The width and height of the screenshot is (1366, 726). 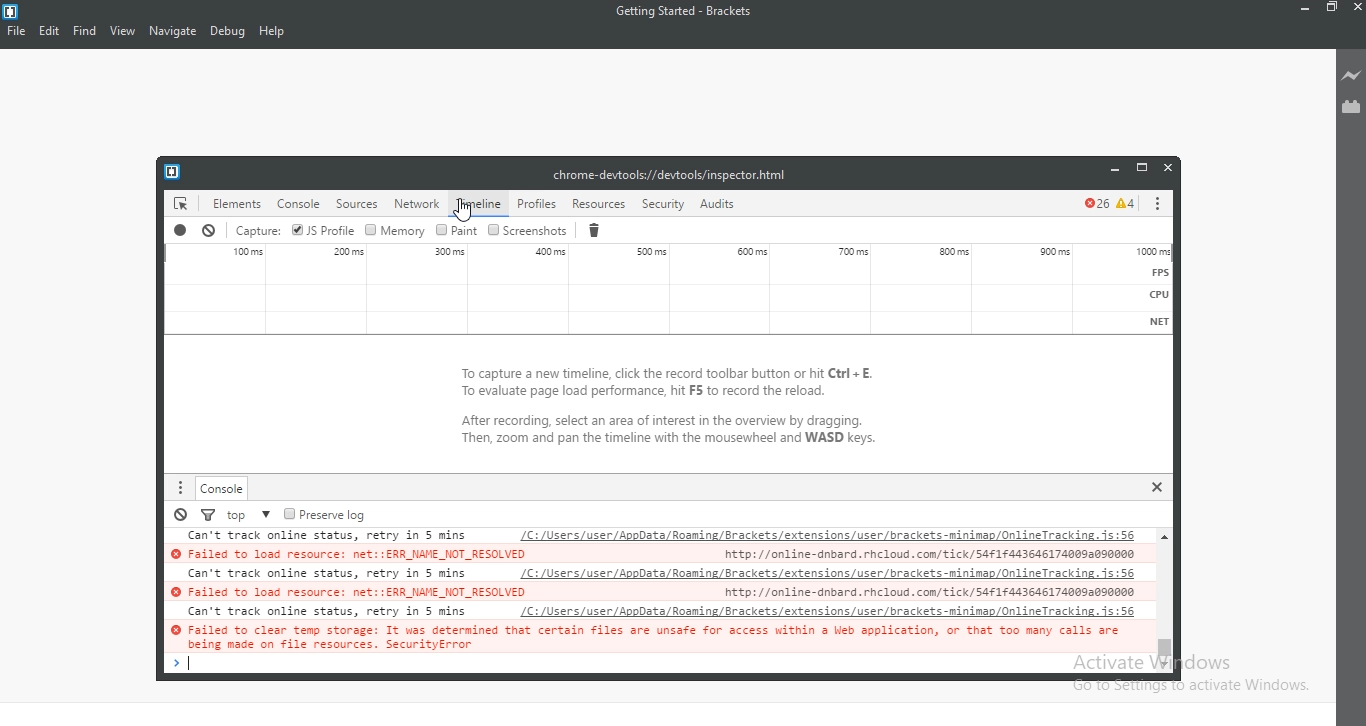 What do you see at coordinates (180, 486) in the screenshot?
I see `More` at bounding box center [180, 486].